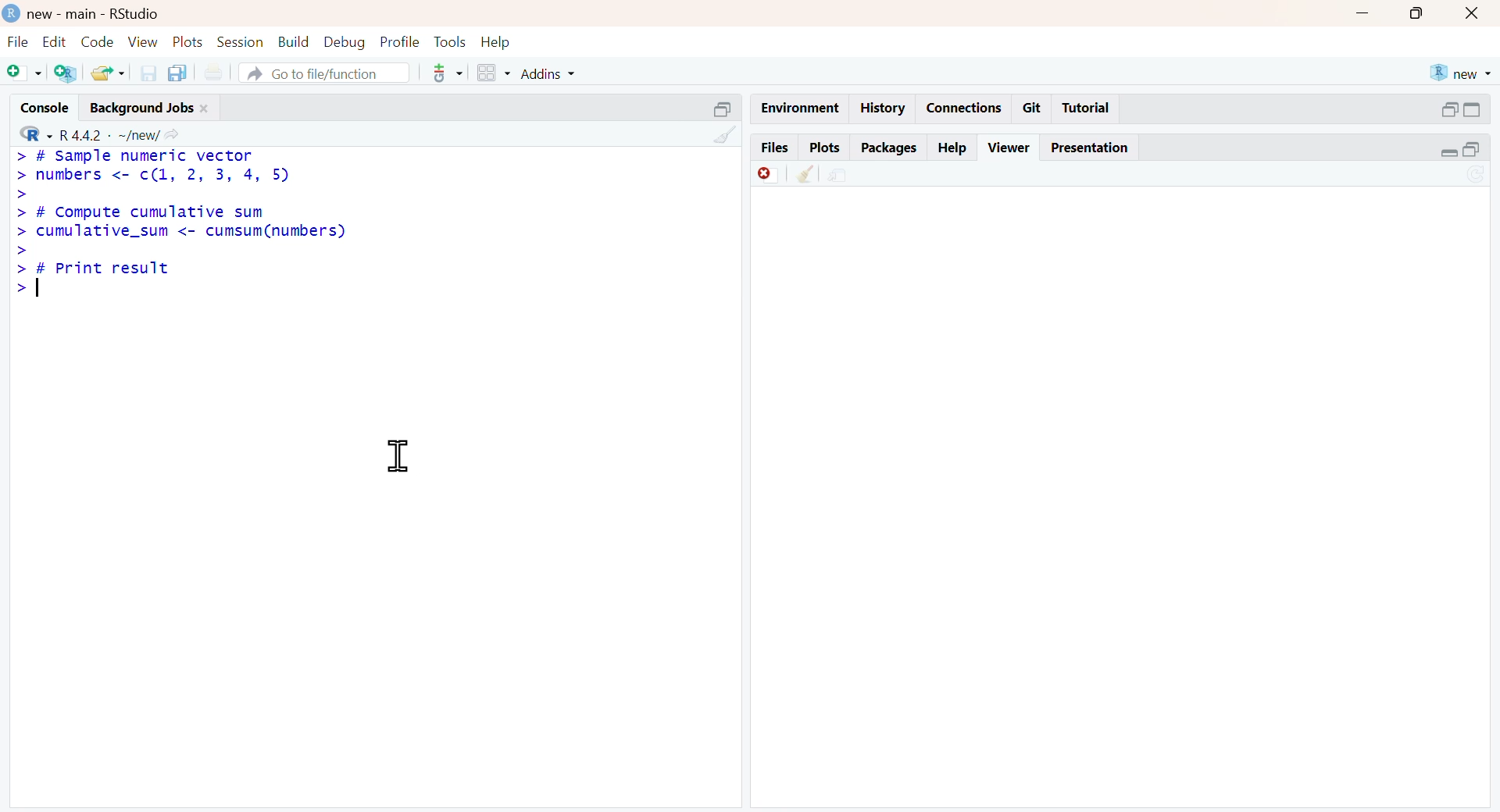 The image size is (1500, 812). I want to click on help, so click(496, 41).